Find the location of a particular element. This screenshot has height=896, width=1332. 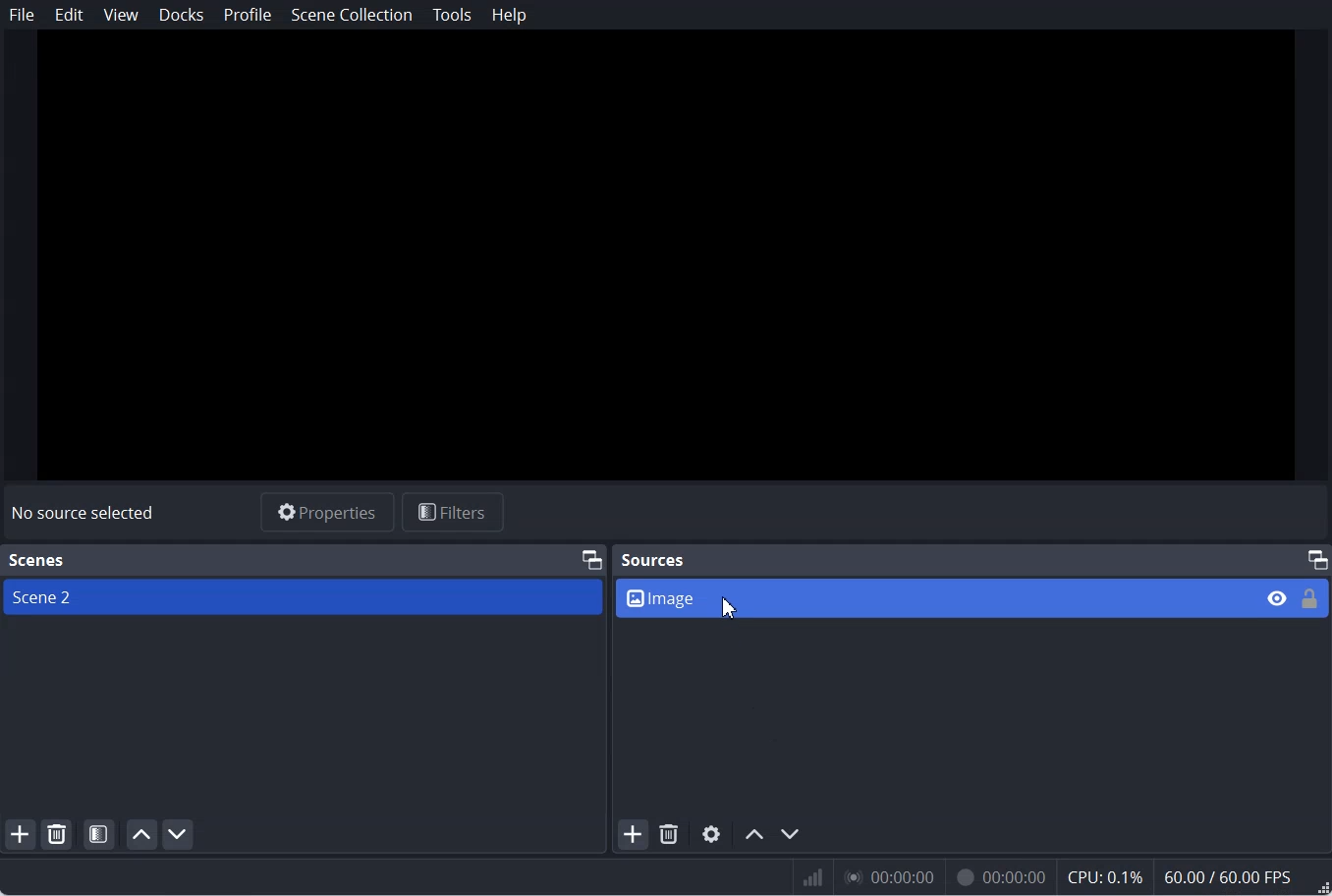

Text is located at coordinates (37, 561).